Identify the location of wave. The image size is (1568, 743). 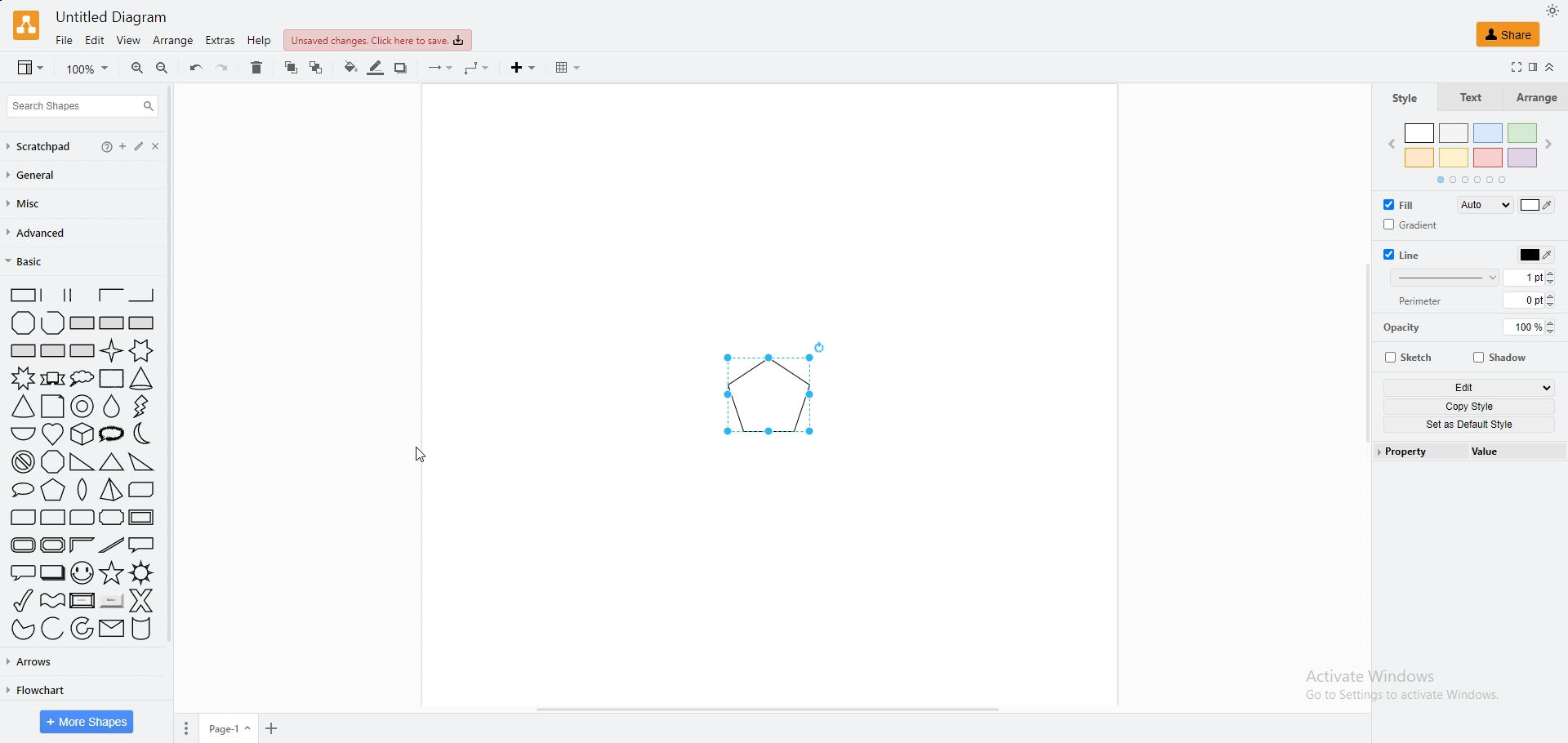
(53, 598).